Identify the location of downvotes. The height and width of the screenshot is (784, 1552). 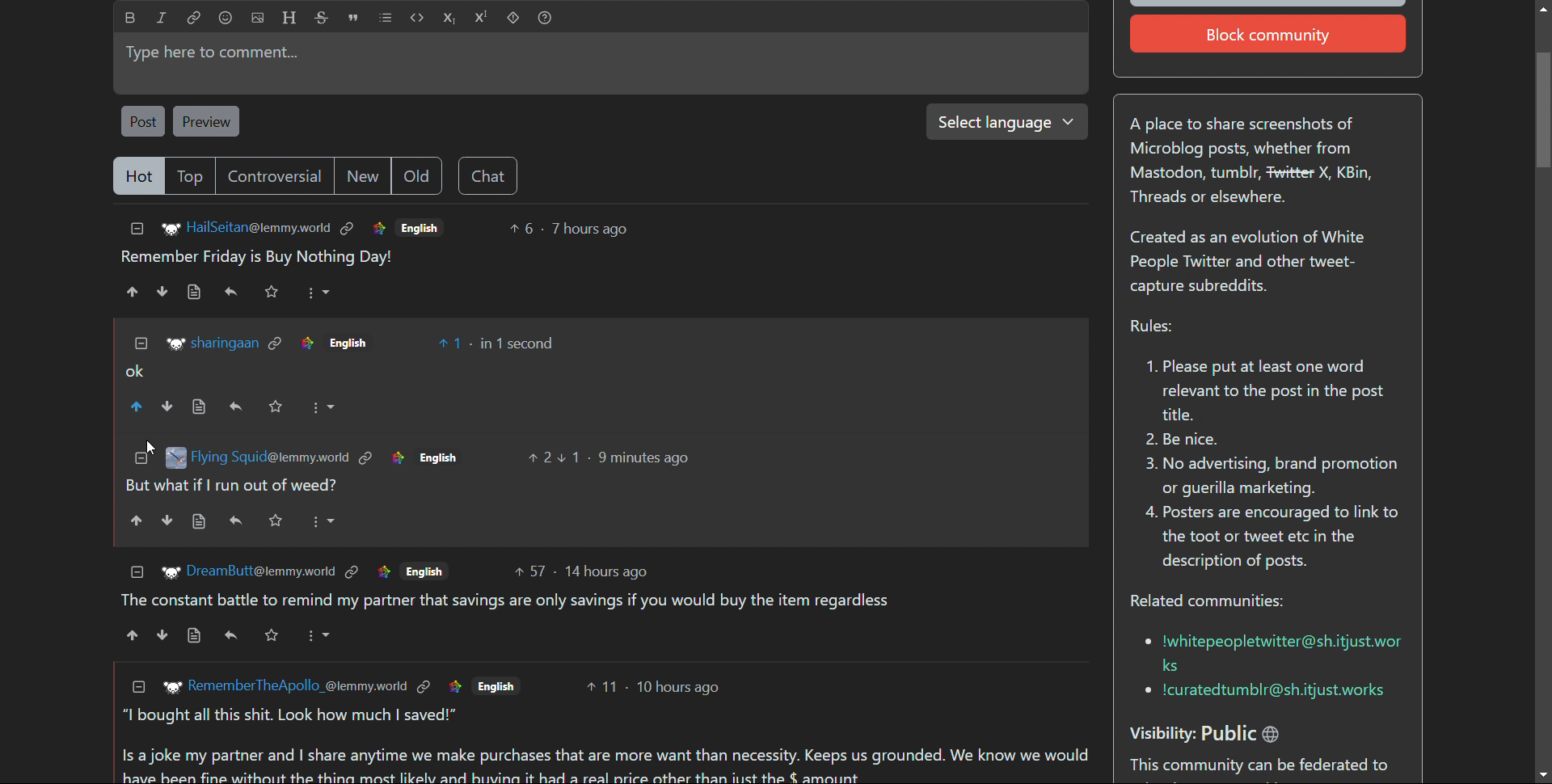
(171, 405).